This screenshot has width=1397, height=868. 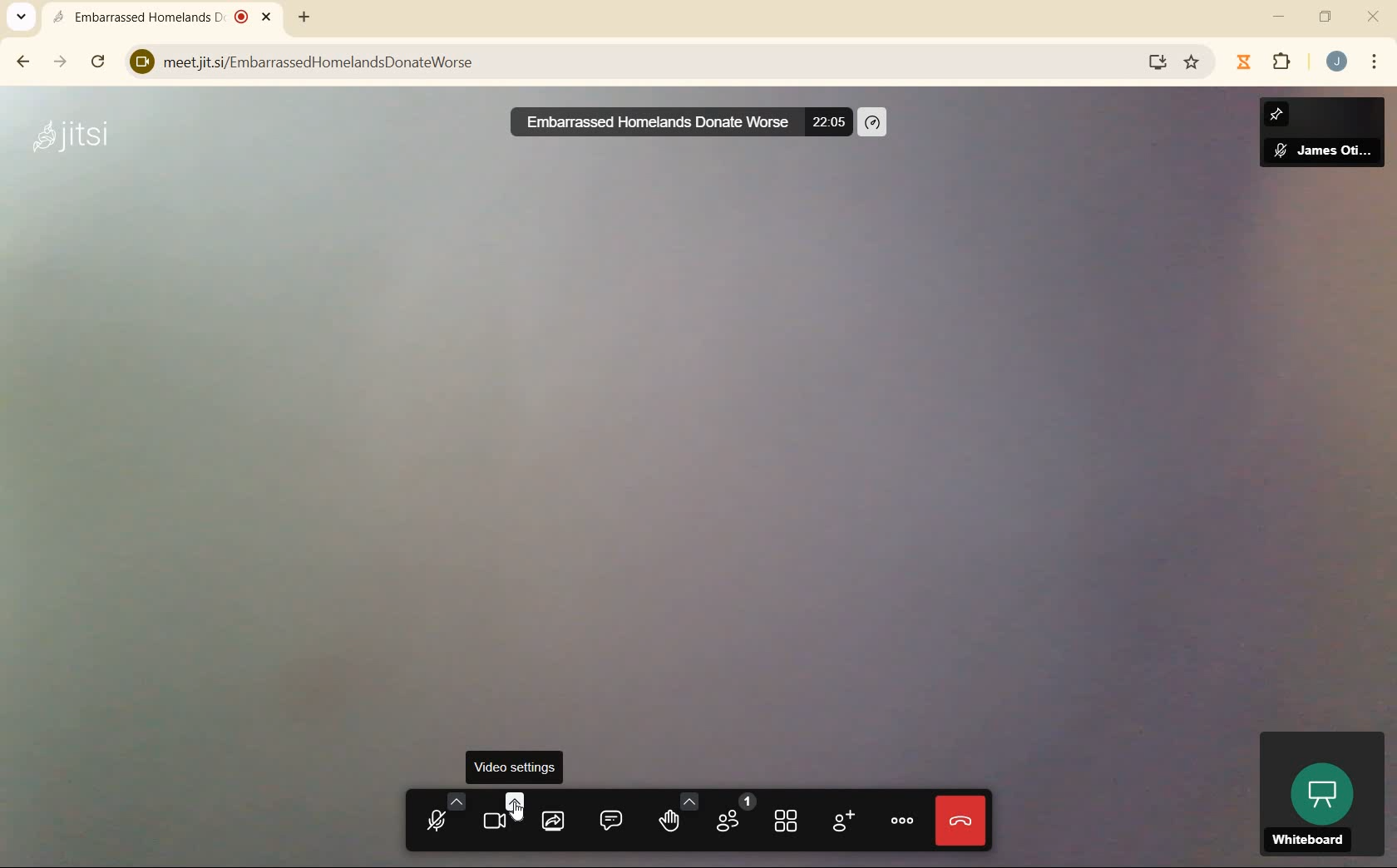 What do you see at coordinates (842, 821) in the screenshot?
I see `invite people` at bounding box center [842, 821].